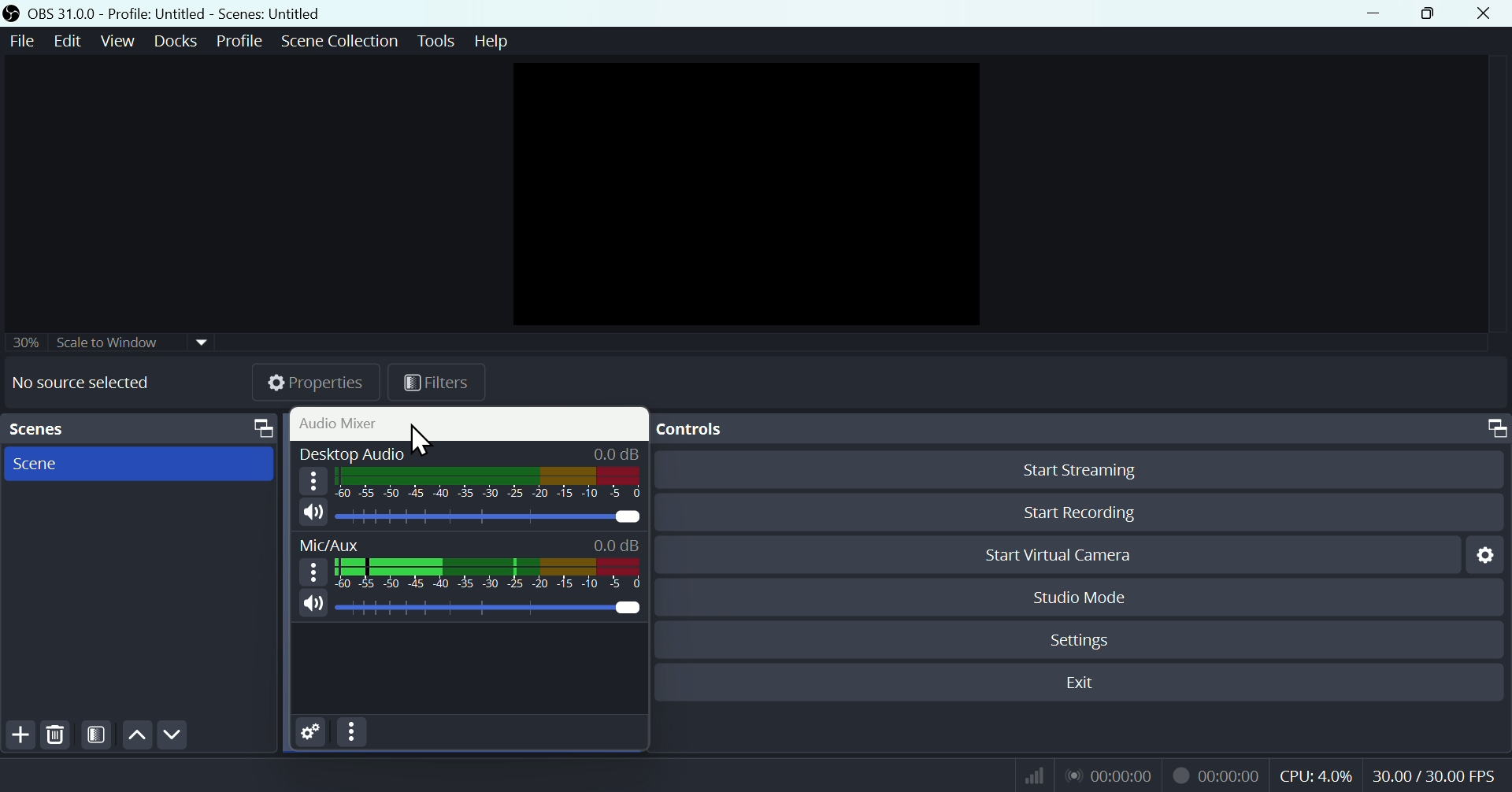 The image size is (1512, 792). Describe the element at coordinates (1080, 682) in the screenshot. I see `Exit` at that location.